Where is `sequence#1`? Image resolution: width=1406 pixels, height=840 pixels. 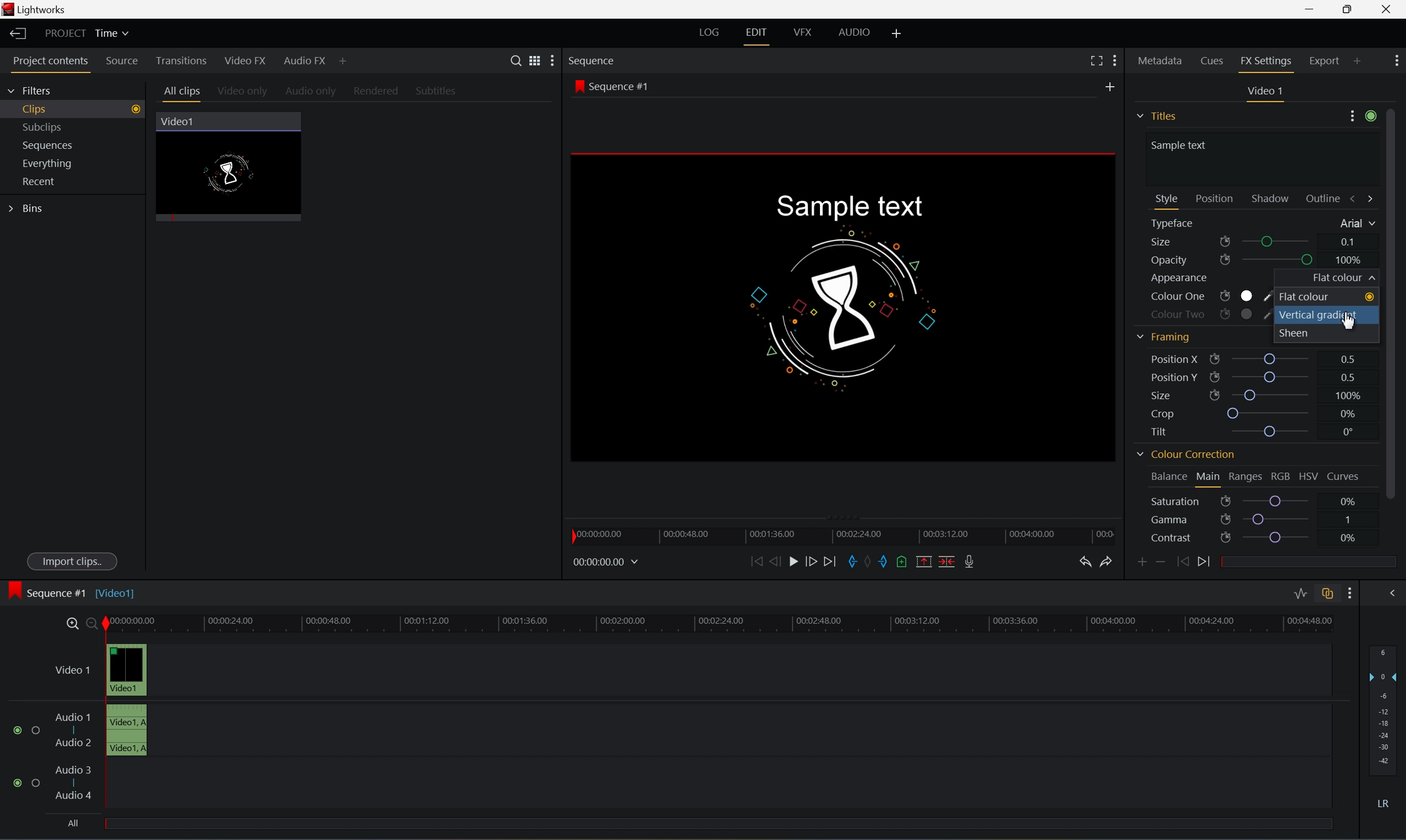
sequence#1 is located at coordinates (59, 590).